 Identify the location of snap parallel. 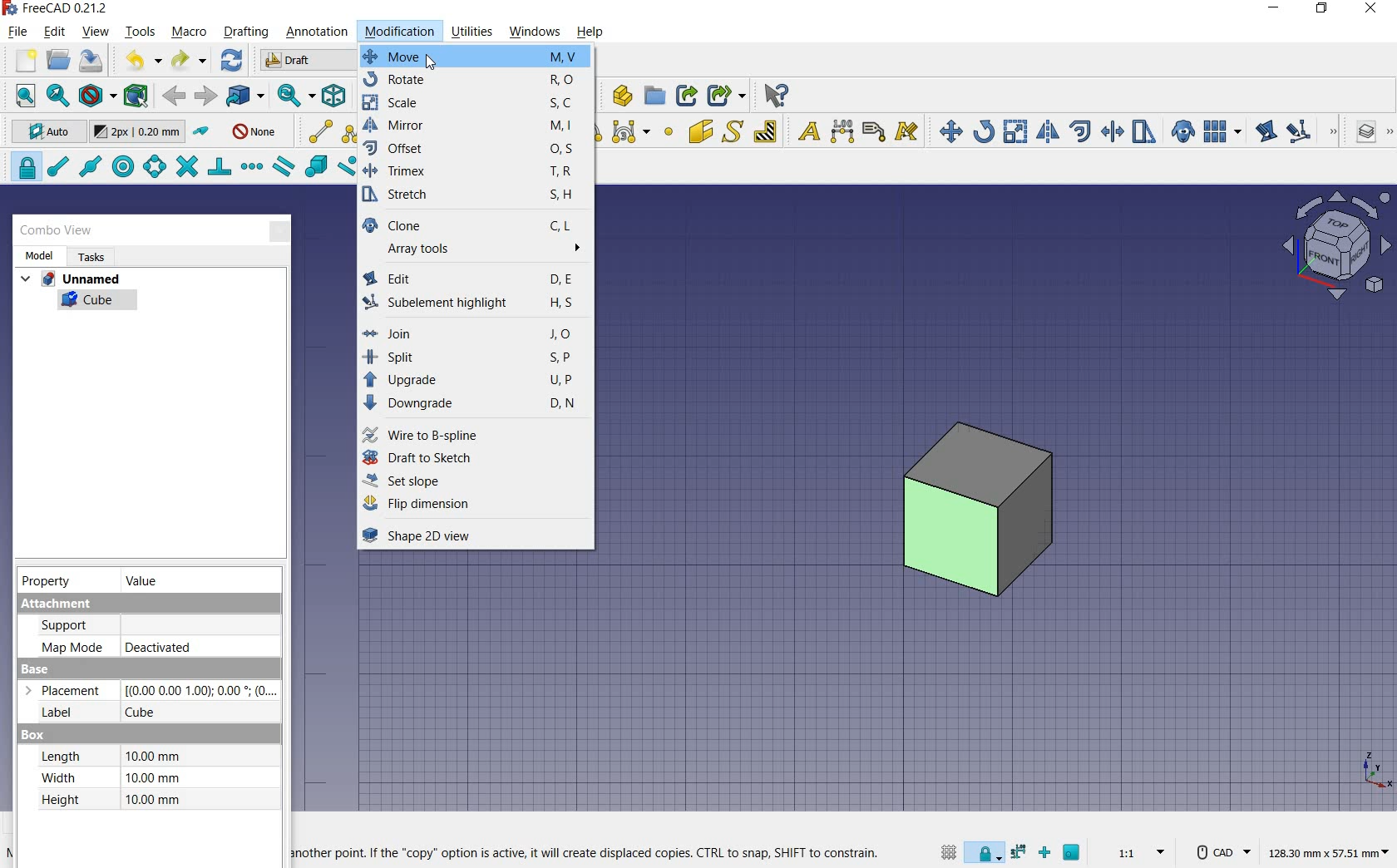
(284, 169).